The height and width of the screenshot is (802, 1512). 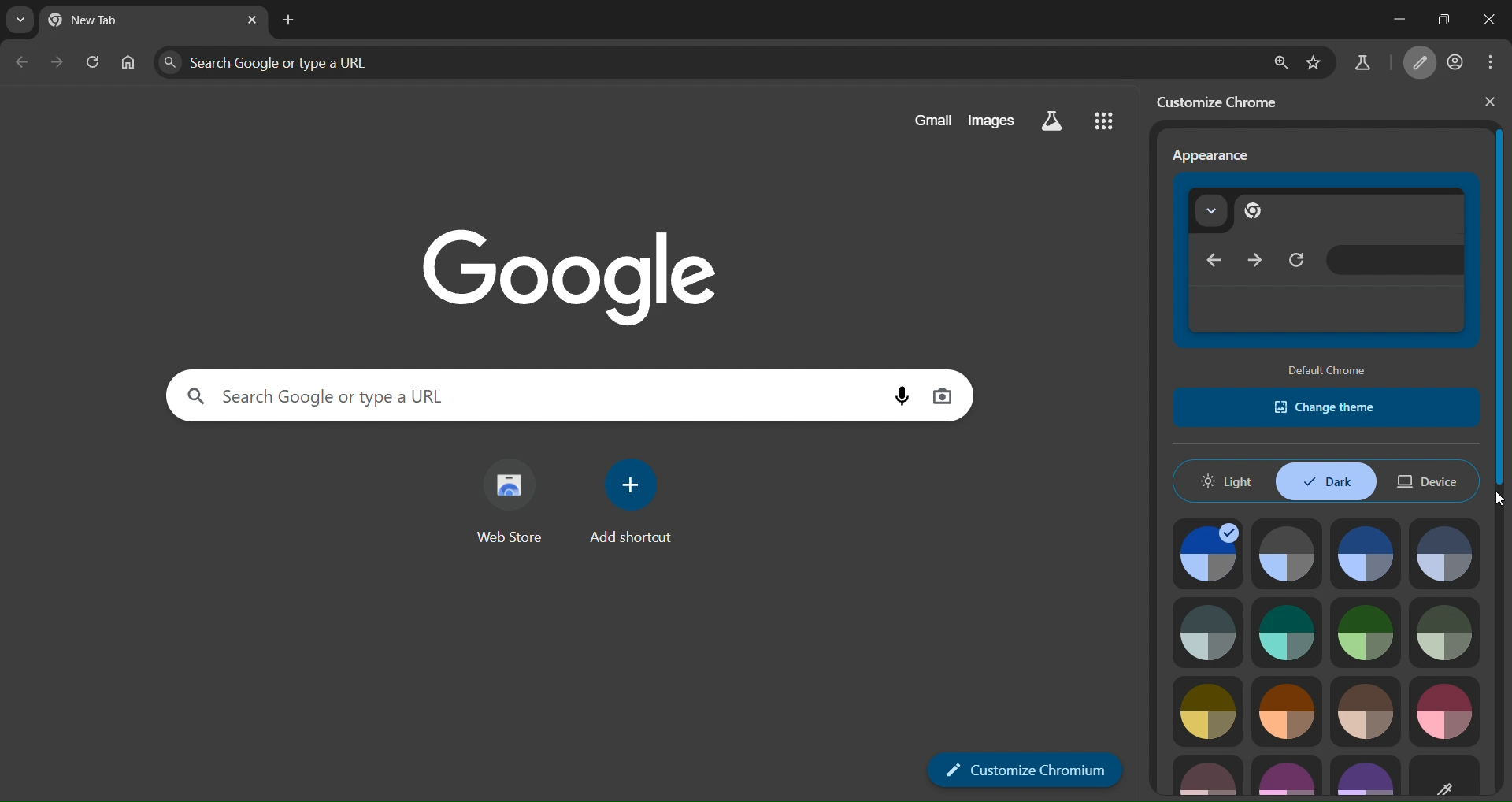 I want to click on close, so click(x=1484, y=102).